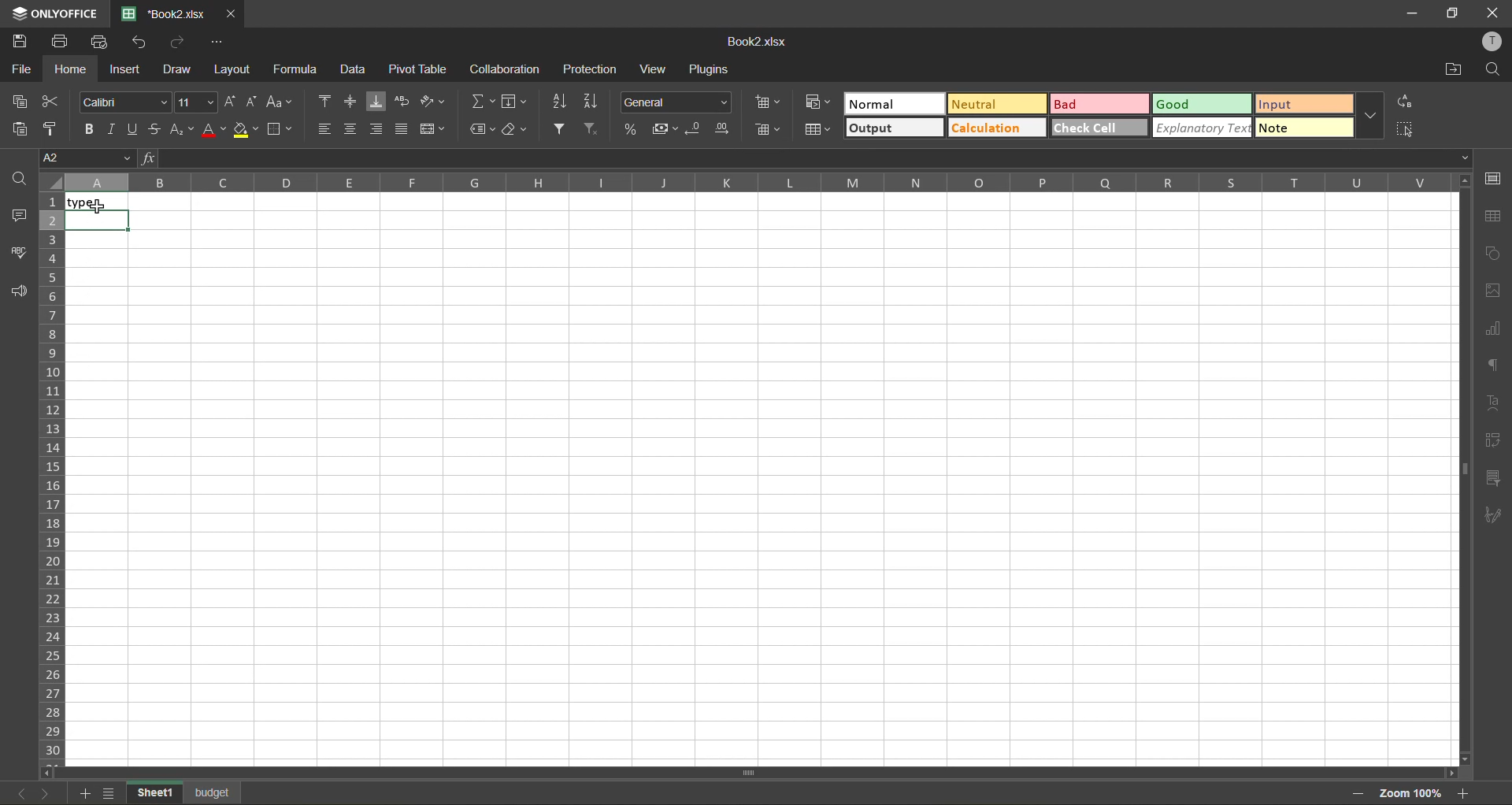  Describe the element at coordinates (1495, 72) in the screenshot. I see `find` at that location.